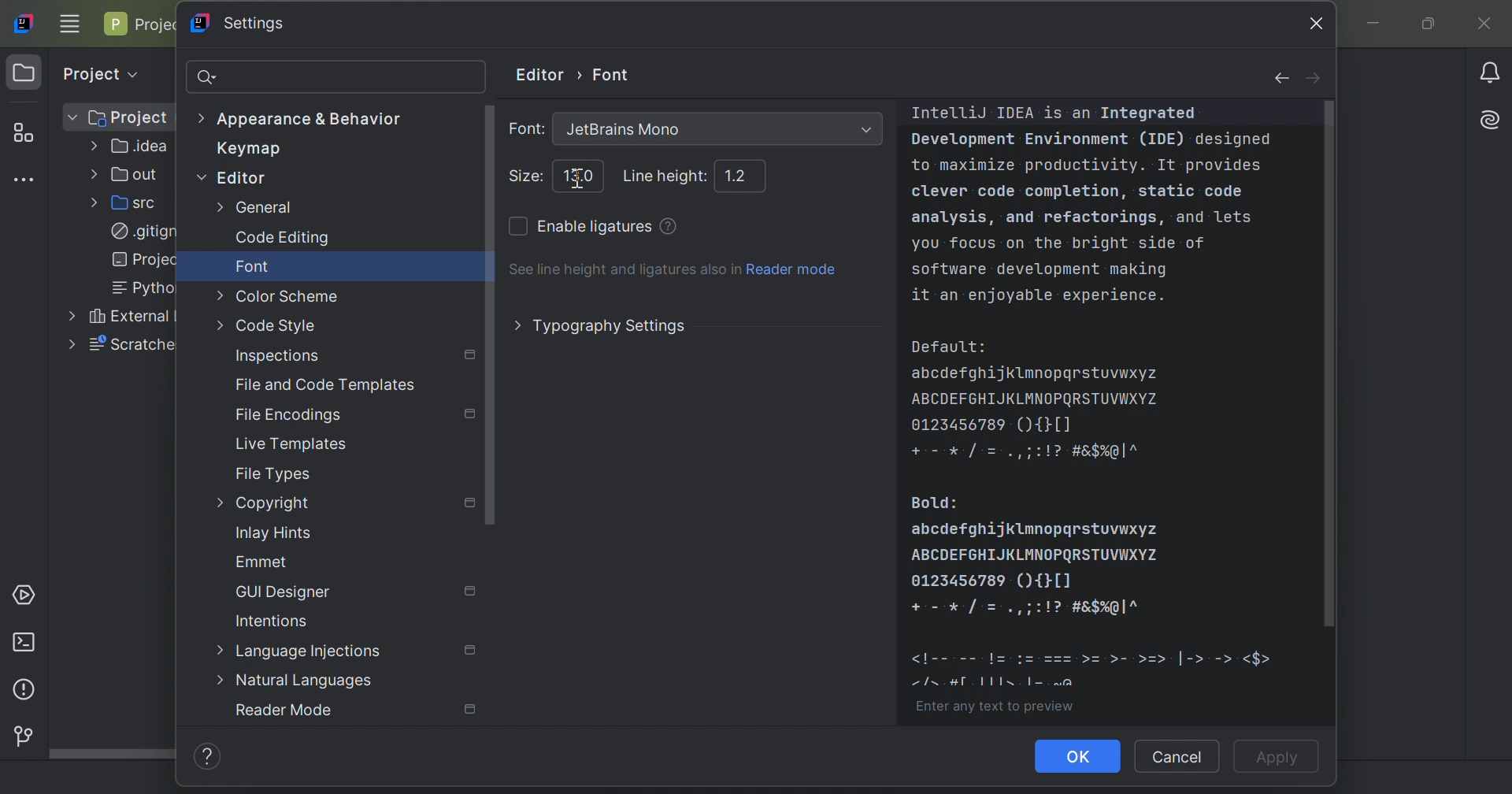 This screenshot has height=794, width=1512. What do you see at coordinates (22, 692) in the screenshot?
I see `Problems` at bounding box center [22, 692].